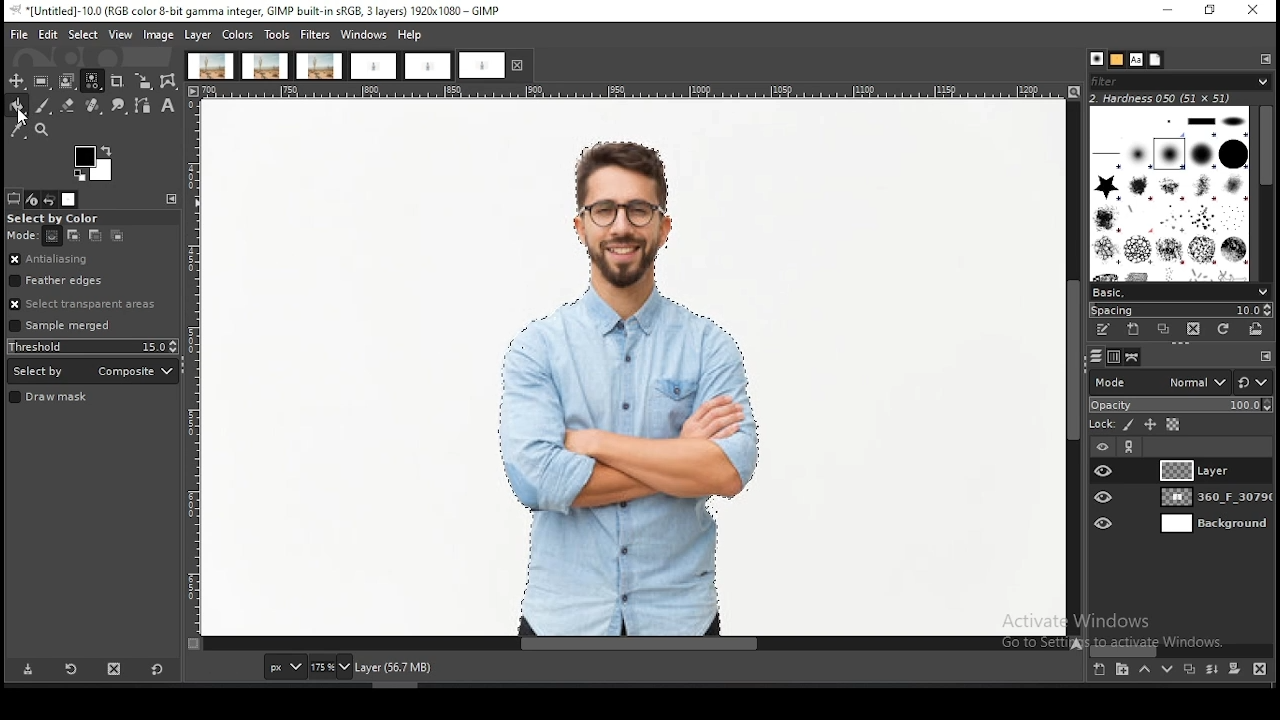 Image resolution: width=1280 pixels, height=720 pixels. What do you see at coordinates (1213, 525) in the screenshot?
I see `layer` at bounding box center [1213, 525].